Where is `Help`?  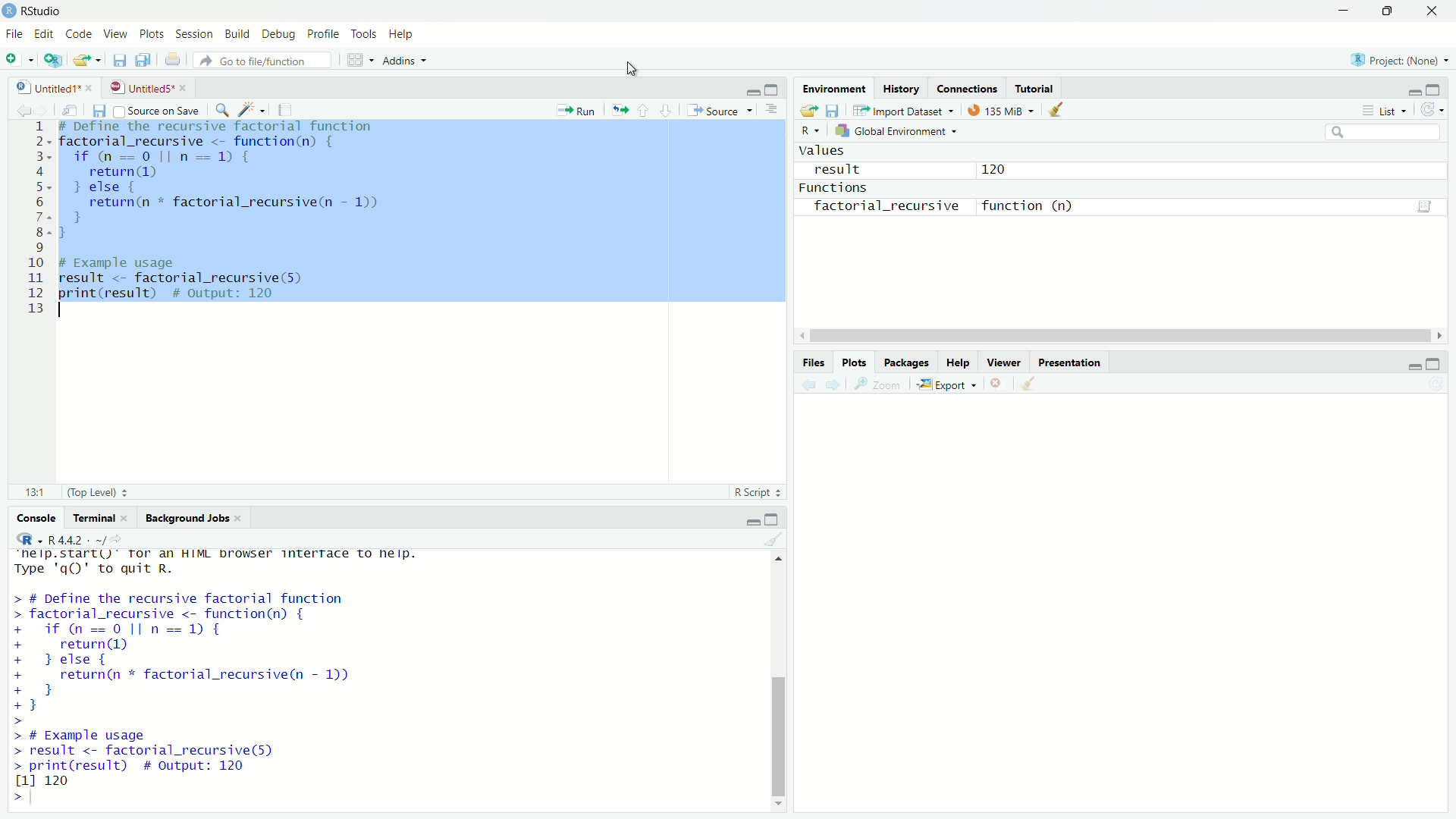
Help is located at coordinates (960, 361).